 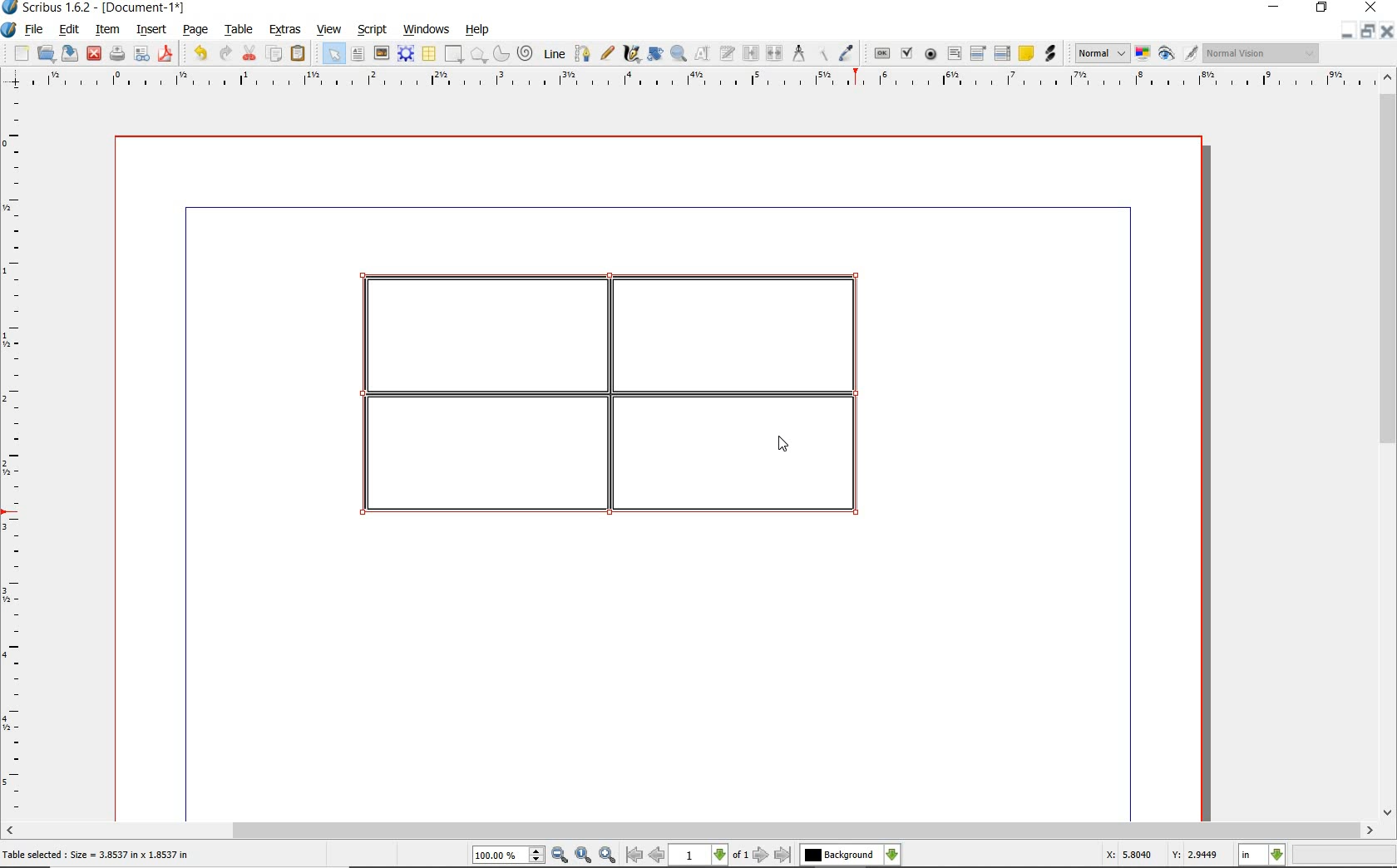 What do you see at coordinates (608, 856) in the screenshot?
I see `zoom in` at bounding box center [608, 856].